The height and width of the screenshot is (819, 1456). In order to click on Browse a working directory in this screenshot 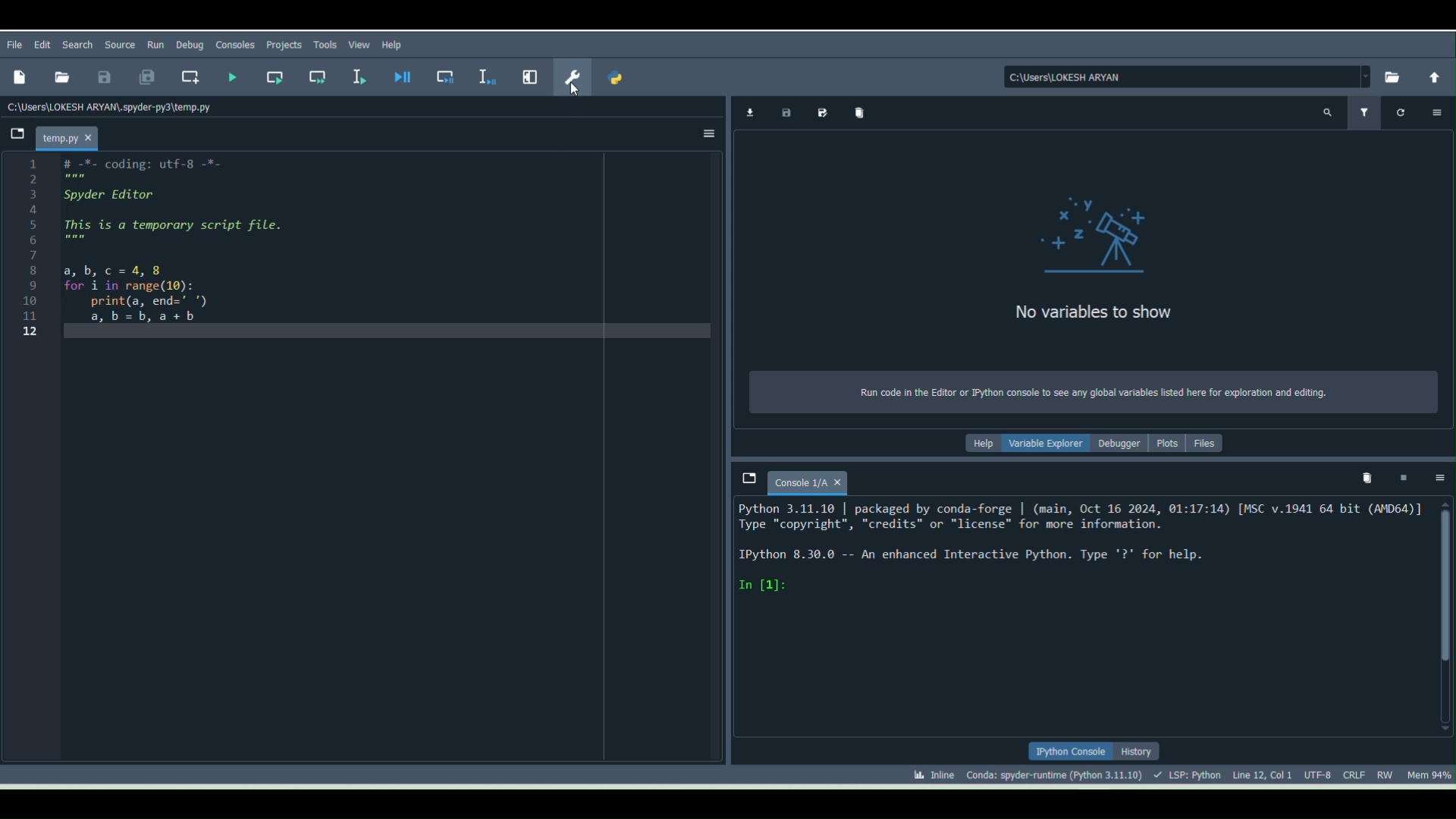, I will do `click(1392, 76)`.